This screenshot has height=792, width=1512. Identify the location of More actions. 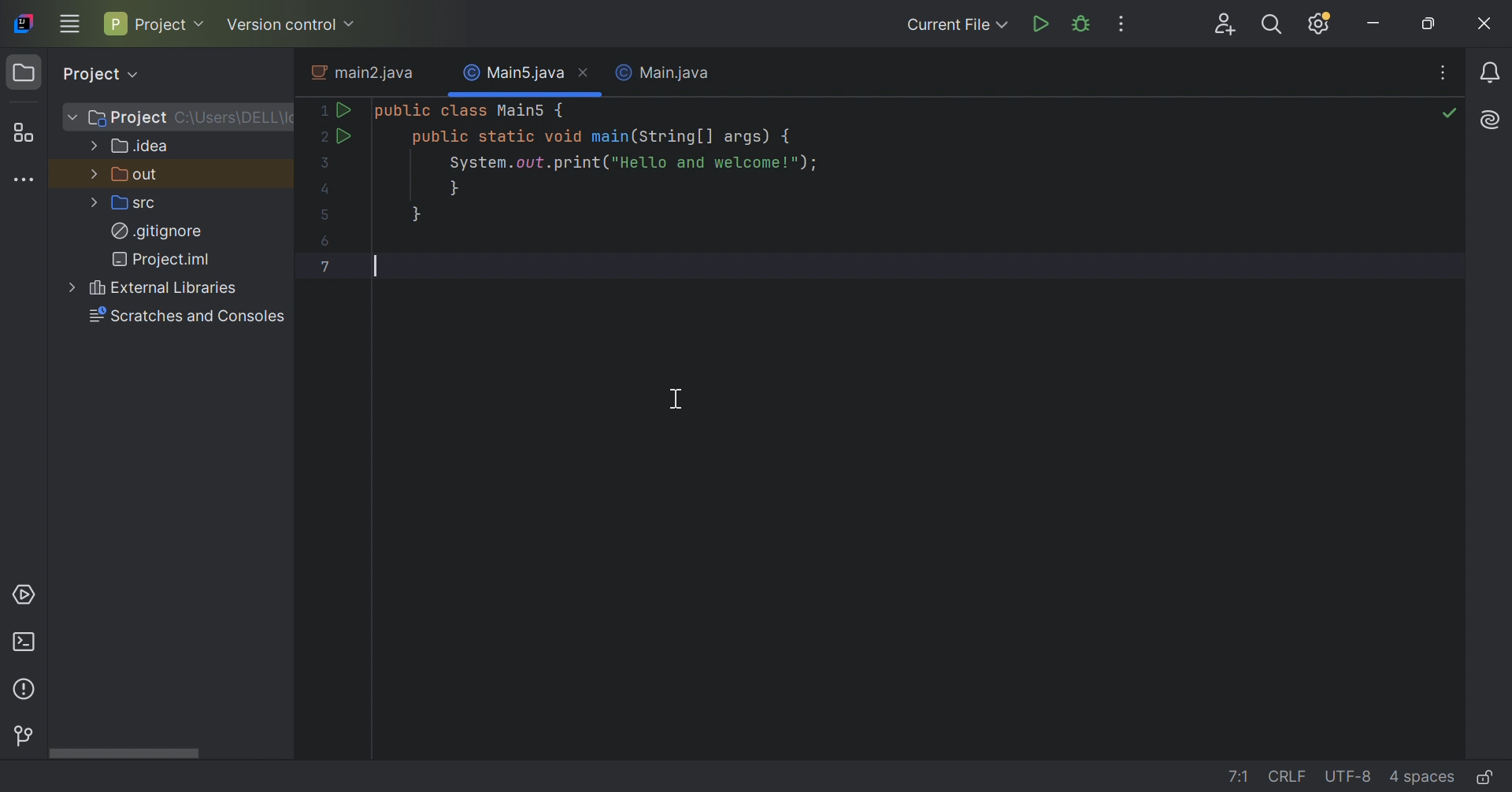
(1123, 25).